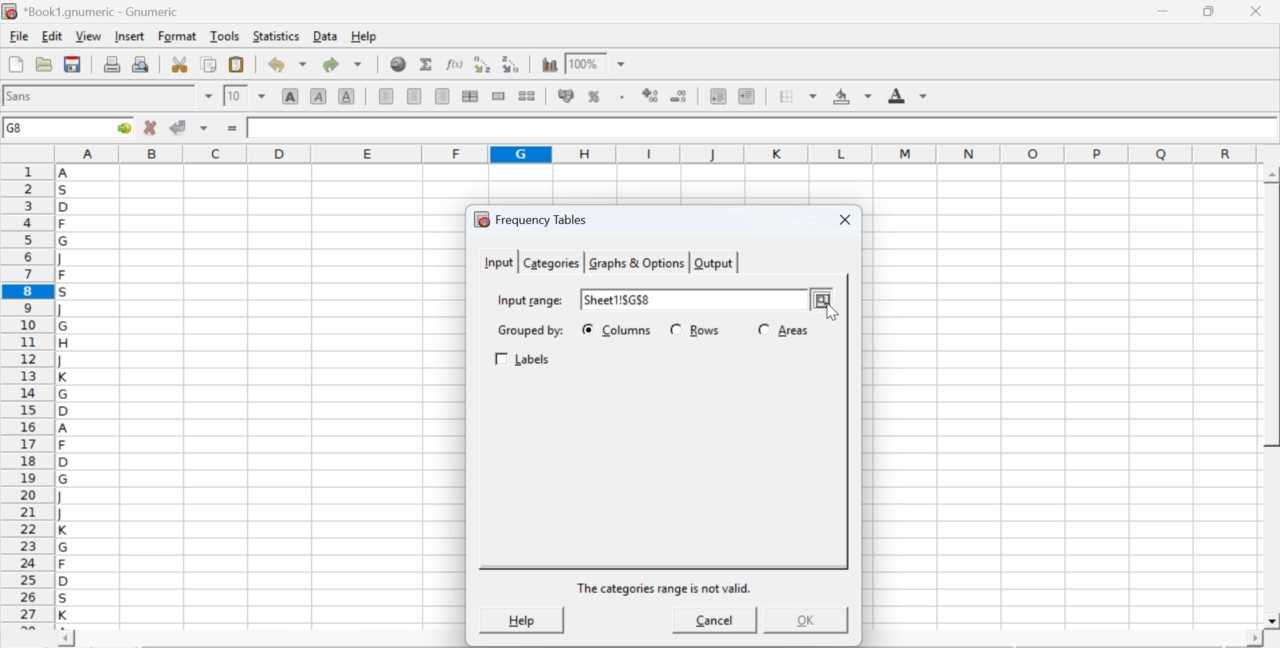 This screenshot has width=1280, height=648. What do you see at coordinates (592, 96) in the screenshot?
I see `format selection as percentage` at bounding box center [592, 96].